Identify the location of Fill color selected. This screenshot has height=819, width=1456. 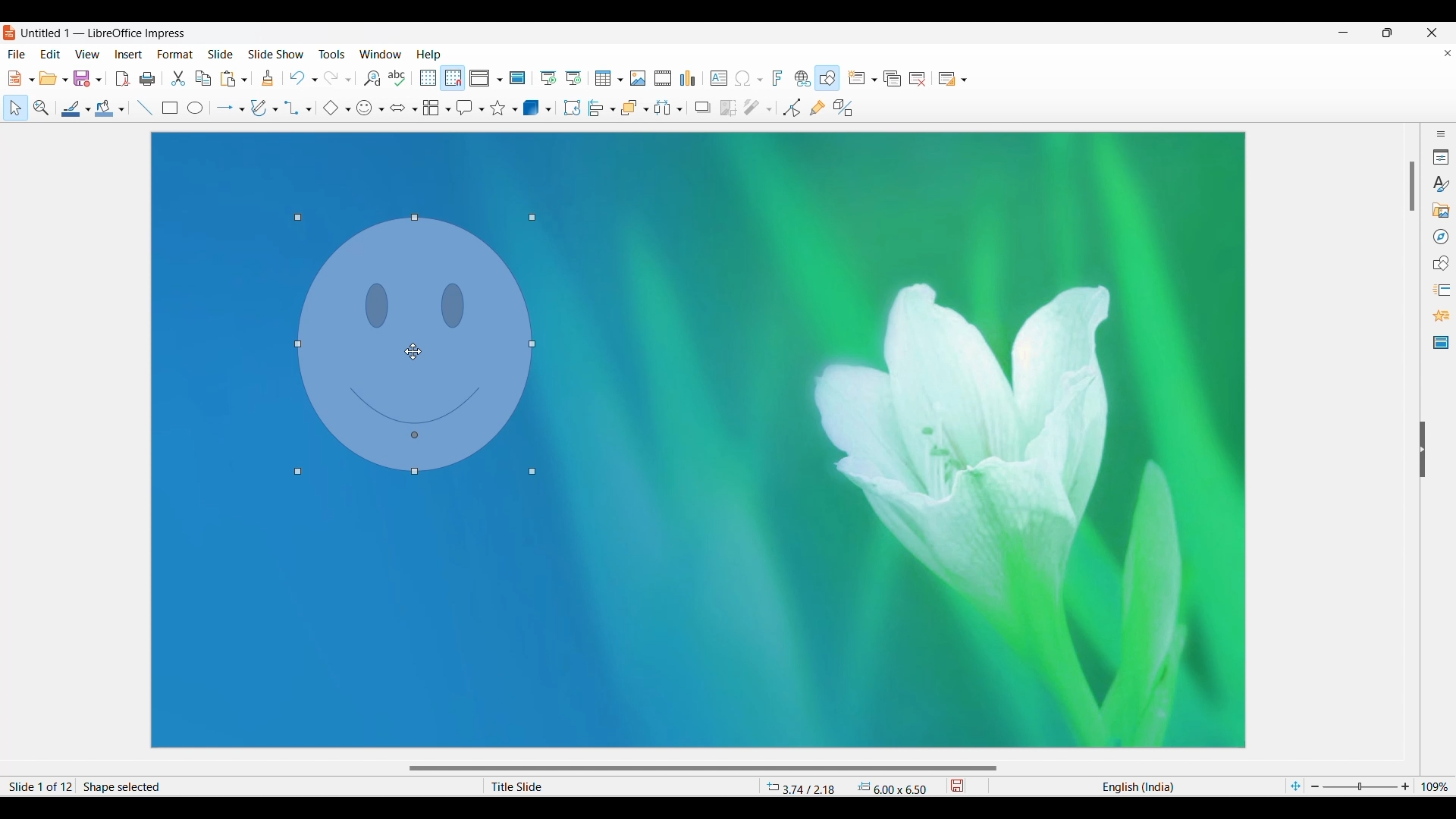
(105, 108).